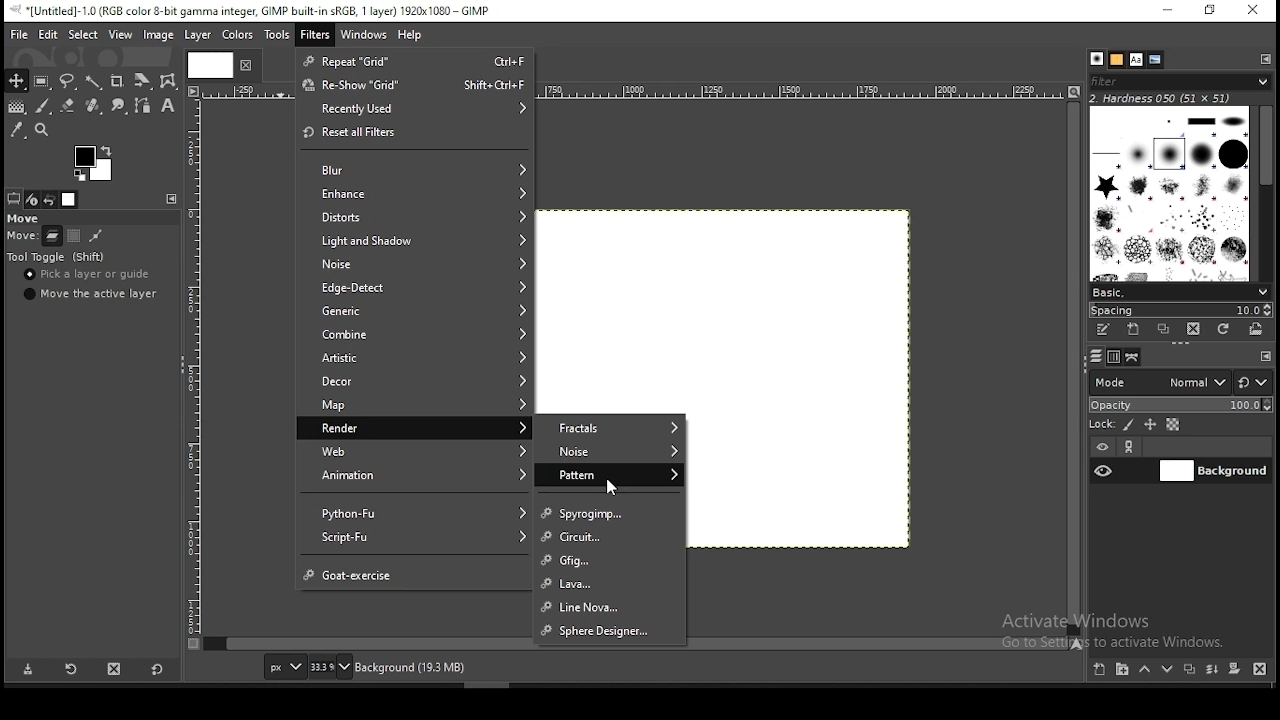  I want to click on blend mode, so click(1180, 382).